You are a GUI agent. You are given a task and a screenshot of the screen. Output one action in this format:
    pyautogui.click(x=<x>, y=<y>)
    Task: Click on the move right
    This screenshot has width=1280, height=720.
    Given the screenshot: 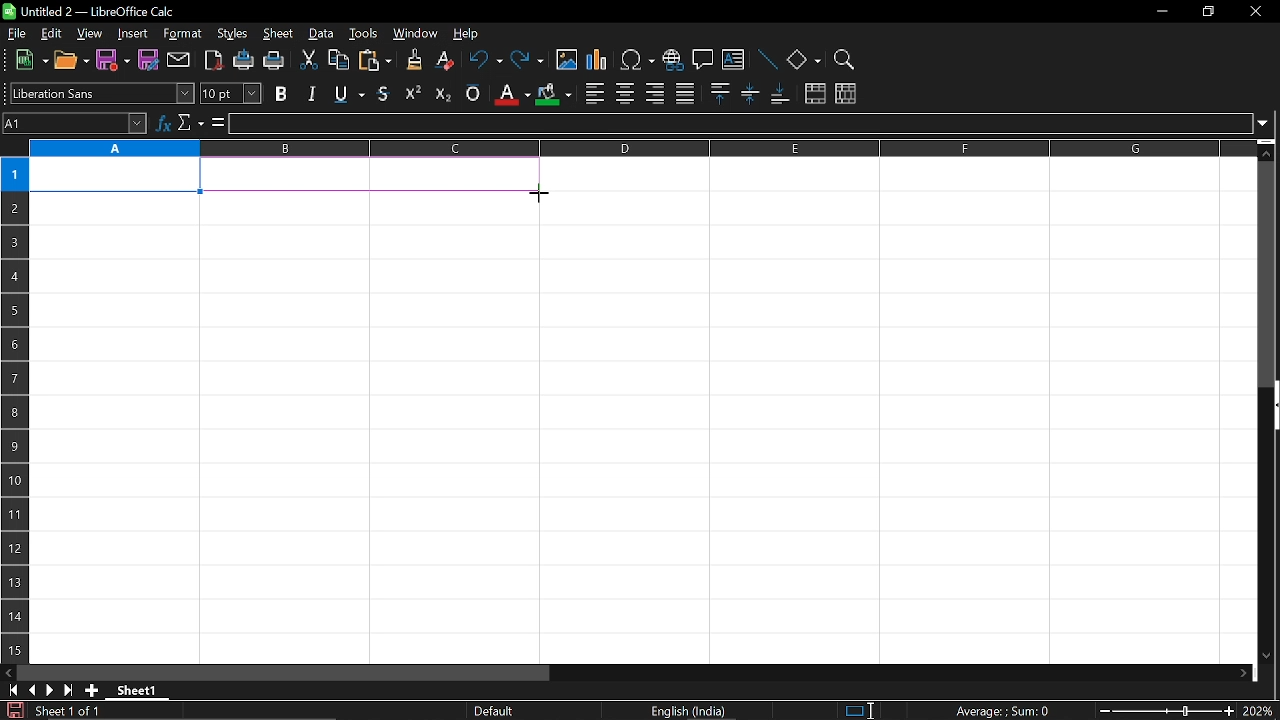 What is the action you would take?
    pyautogui.click(x=1245, y=672)
    